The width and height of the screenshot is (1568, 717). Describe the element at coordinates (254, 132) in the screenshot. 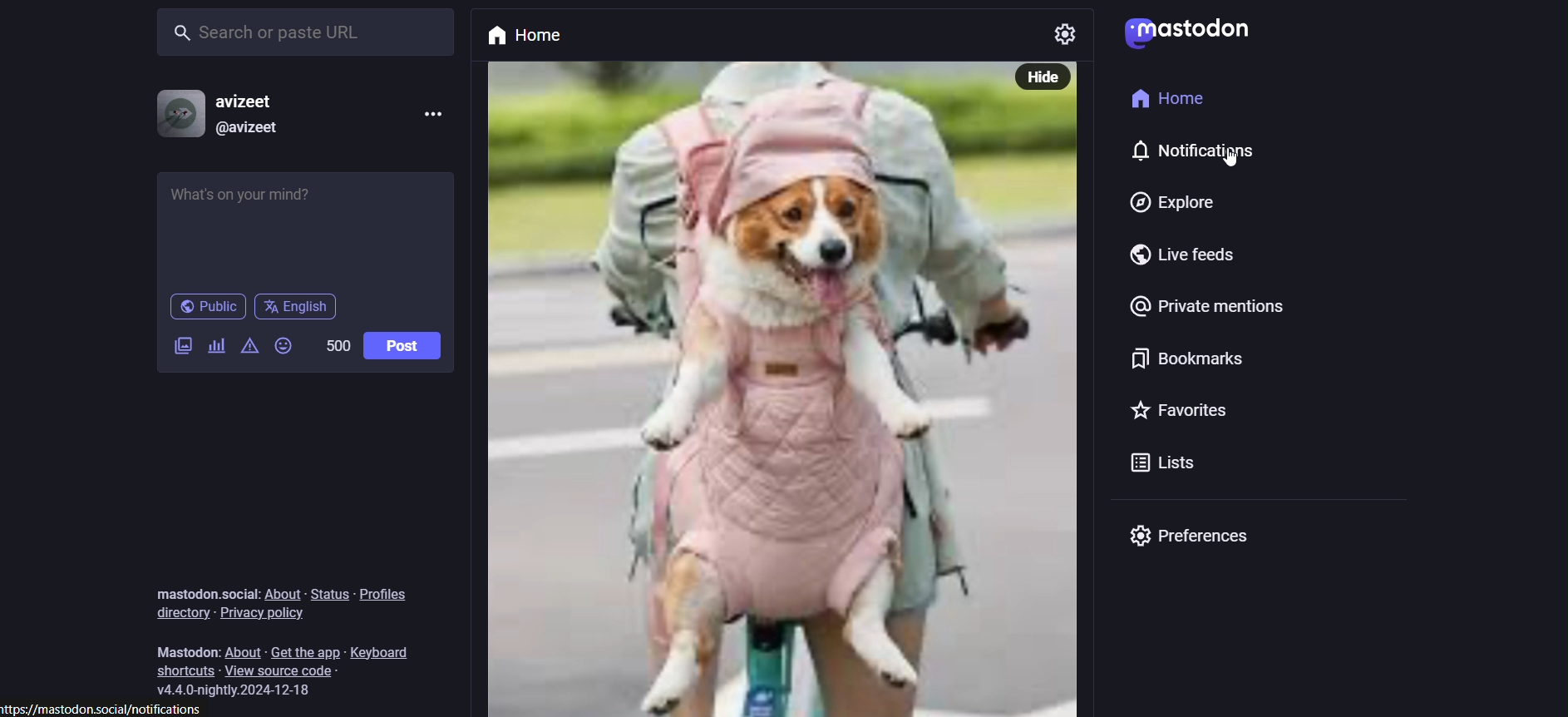

I see `@username` at that location.